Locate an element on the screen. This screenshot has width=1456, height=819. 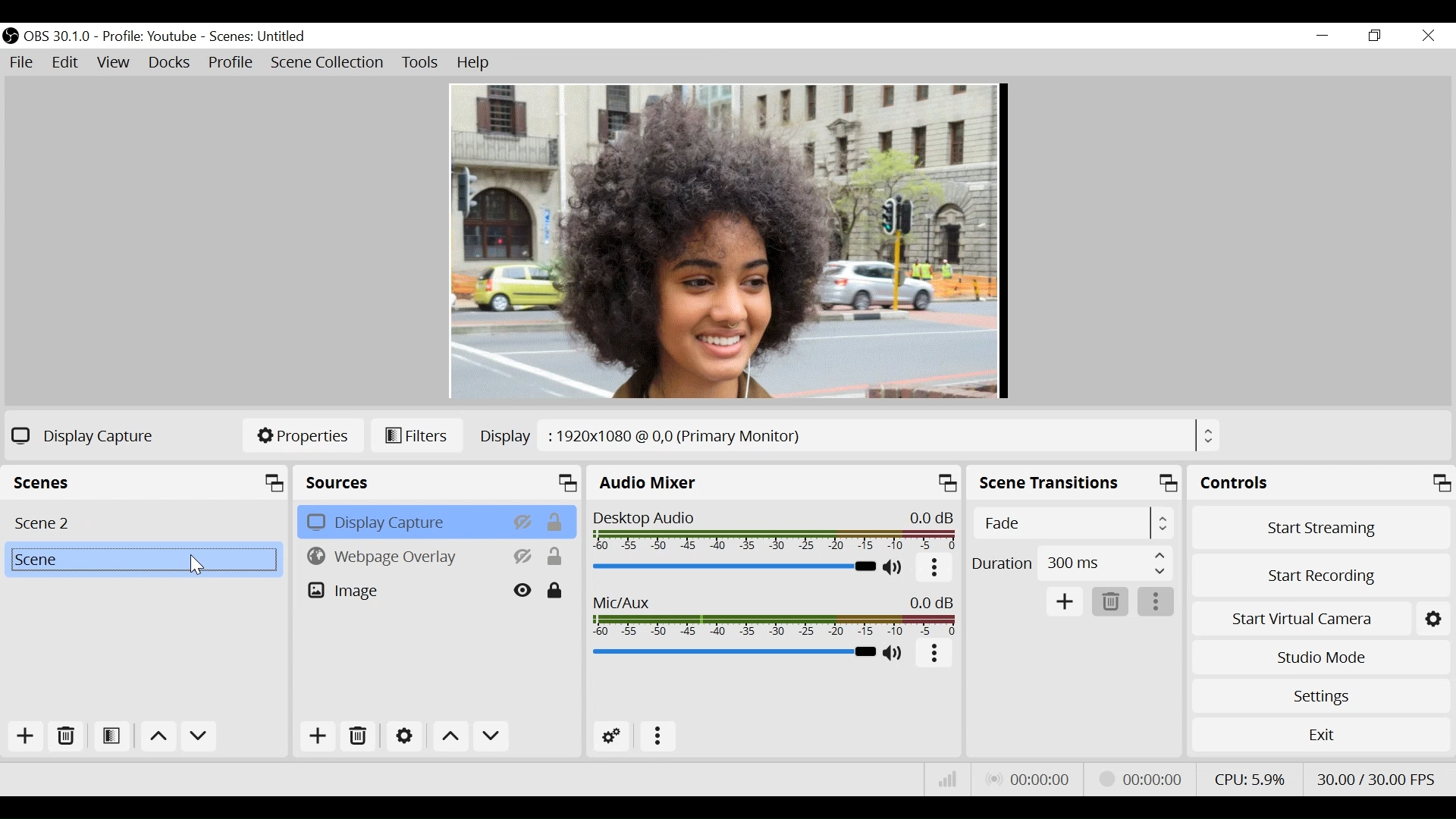
Mic/Aux is located at coordinates (773, 613).